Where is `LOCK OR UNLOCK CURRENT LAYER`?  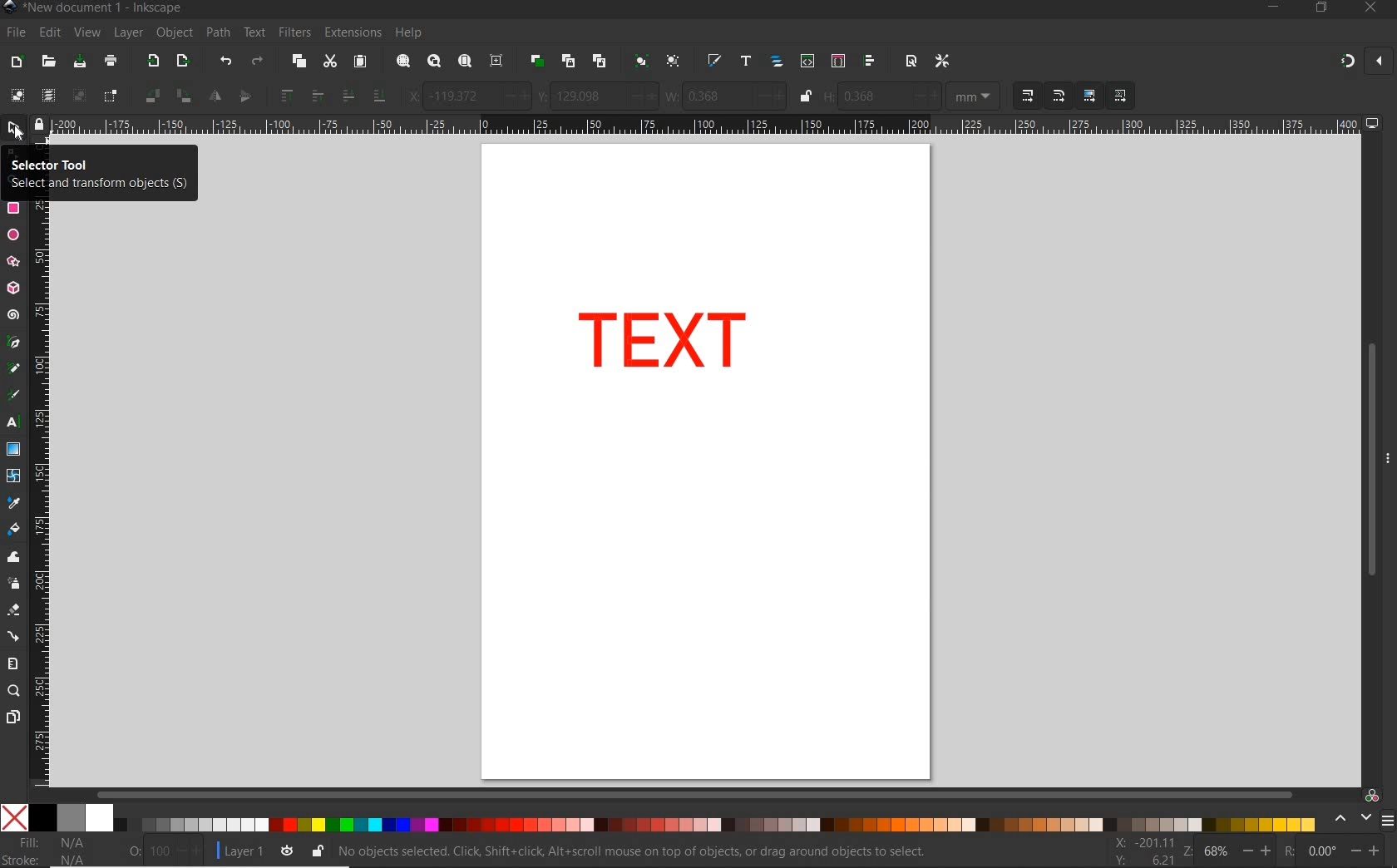
LOCK OR UNLOCK CURRENT LAYER is located at coordinates (317, 853).